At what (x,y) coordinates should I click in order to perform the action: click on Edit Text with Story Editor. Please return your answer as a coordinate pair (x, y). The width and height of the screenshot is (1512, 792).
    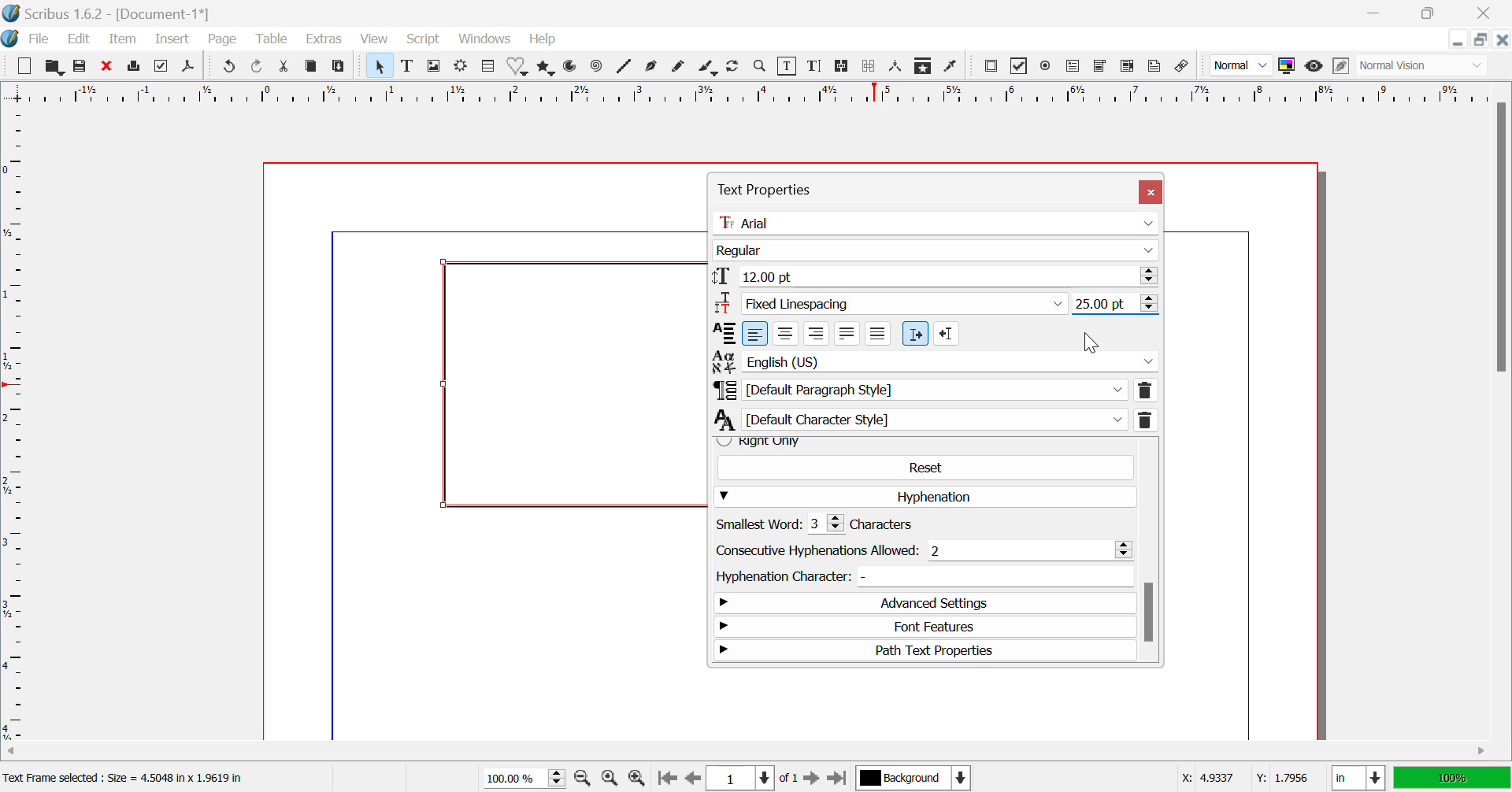
    Looking at the image, I should click on (816, 68).